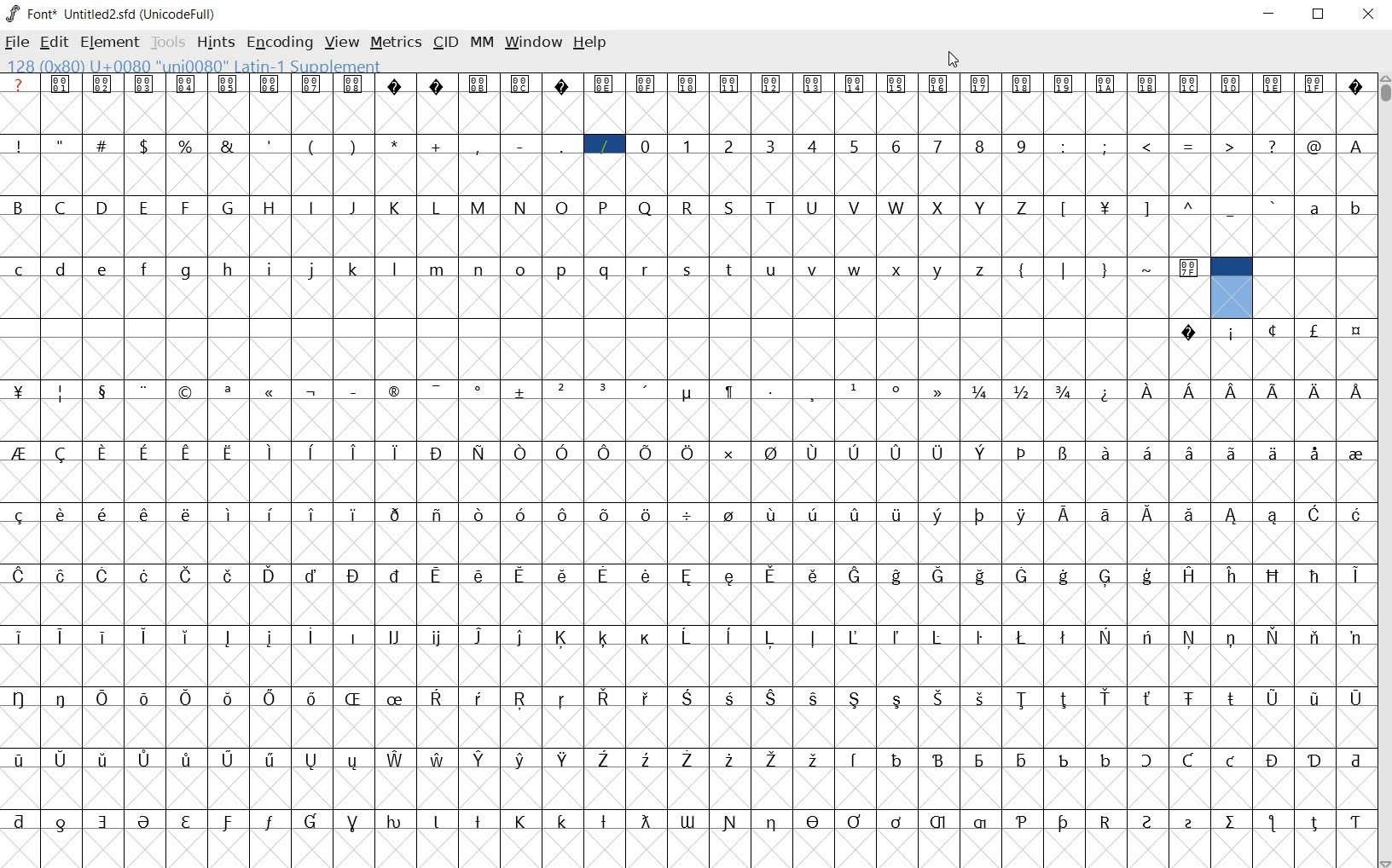  Describe the element at coordinates (279, 43) in the screenshot. I see `encoding` at that location.